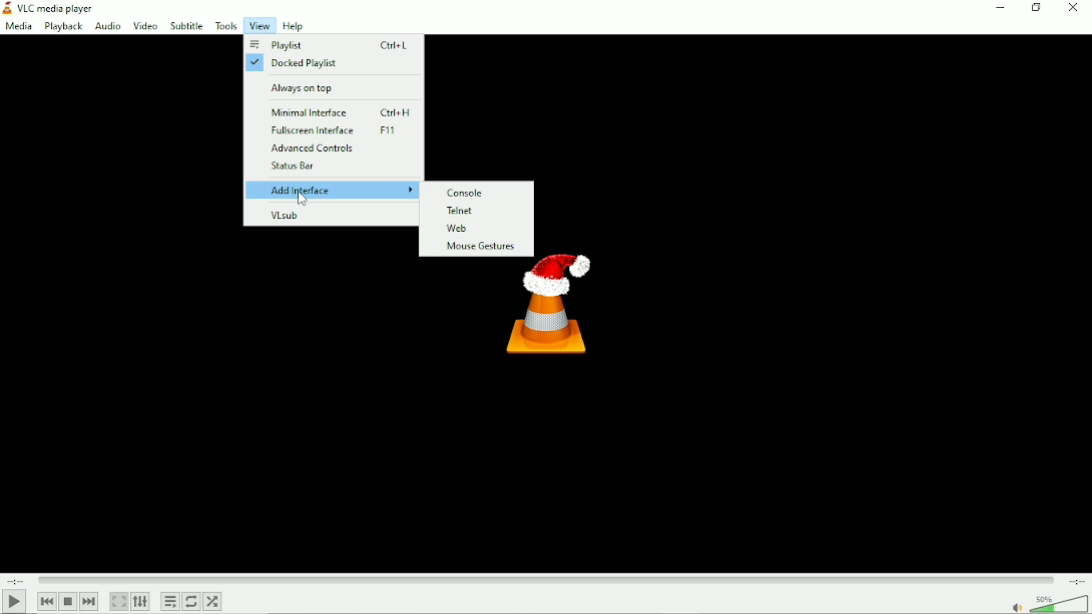  I want to click on Toggle between loop all, loop one and no loop, so click(190, 602).